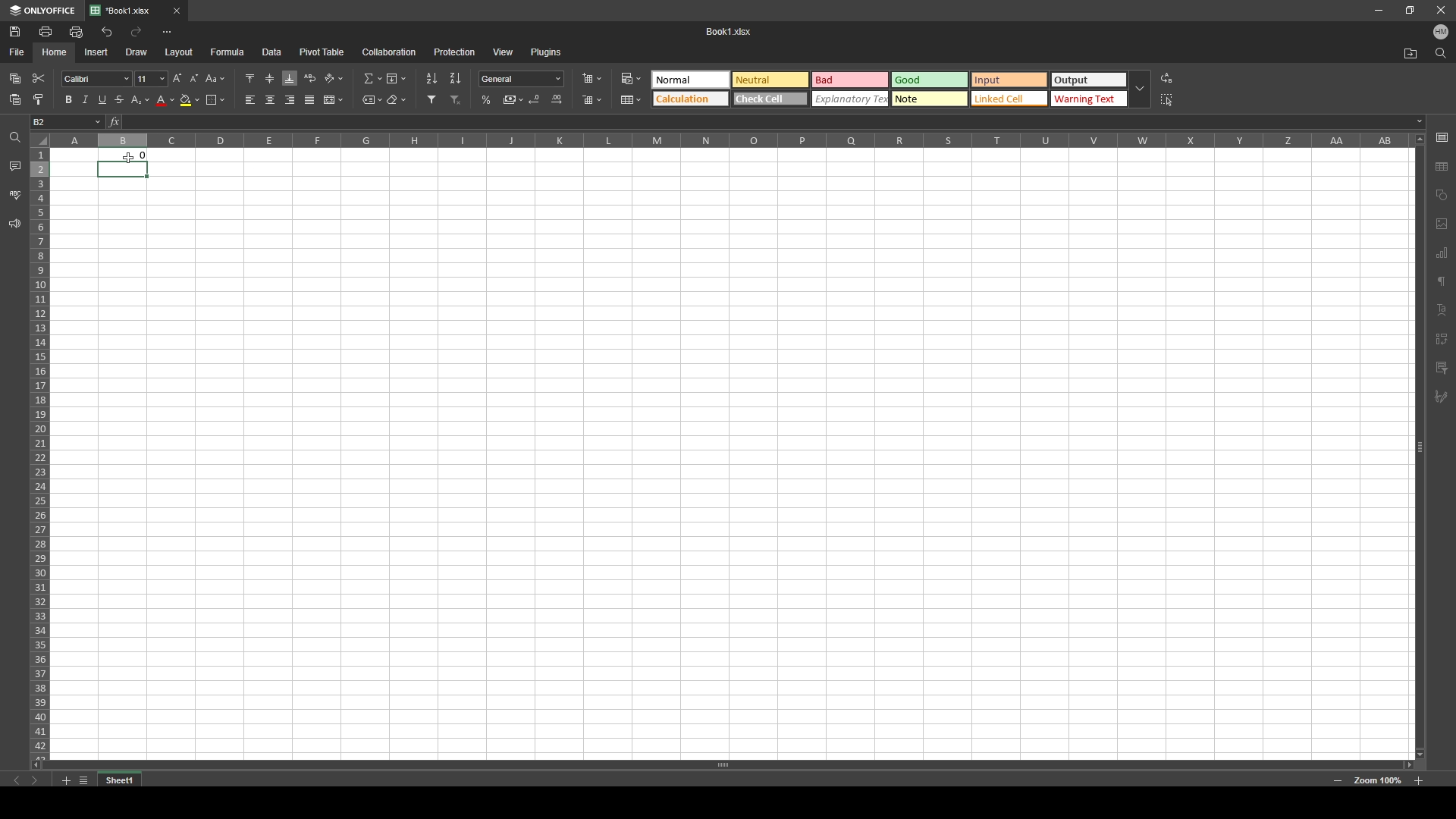 This screenshot has width=1456, height=819. What do you see at coordinates (251, 100) in the screenshot?
I see `align left` at bounding box center [251, 100].